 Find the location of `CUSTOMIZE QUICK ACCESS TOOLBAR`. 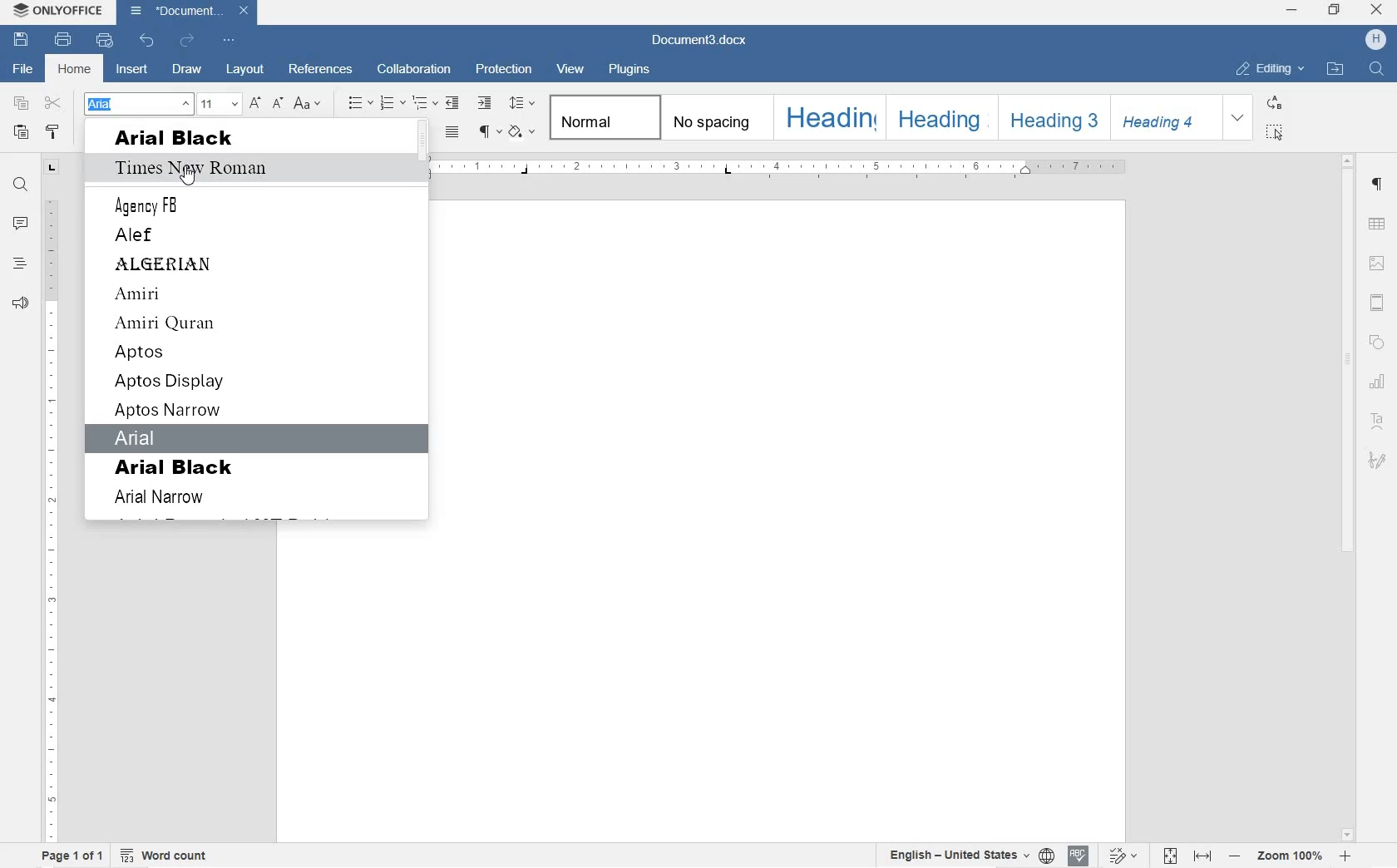

CUSTOMIZE QUICK ACCESS TOOLBAR is located at coordinates (230, 41).